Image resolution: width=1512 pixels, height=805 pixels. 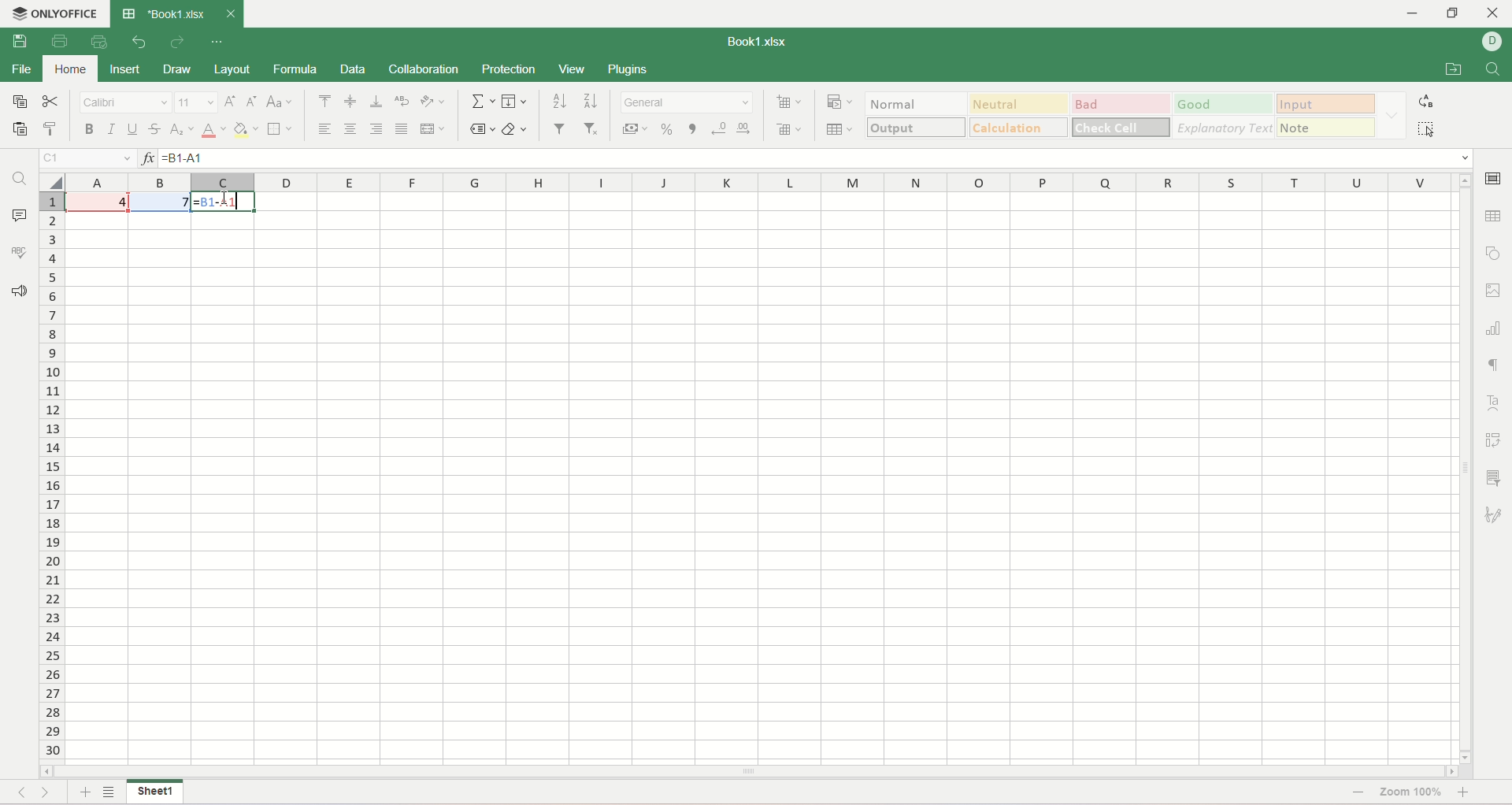 What do you see at coordinates (146, 158) in the screenshot?
I see `insert function` at bounding box center [146, 158].